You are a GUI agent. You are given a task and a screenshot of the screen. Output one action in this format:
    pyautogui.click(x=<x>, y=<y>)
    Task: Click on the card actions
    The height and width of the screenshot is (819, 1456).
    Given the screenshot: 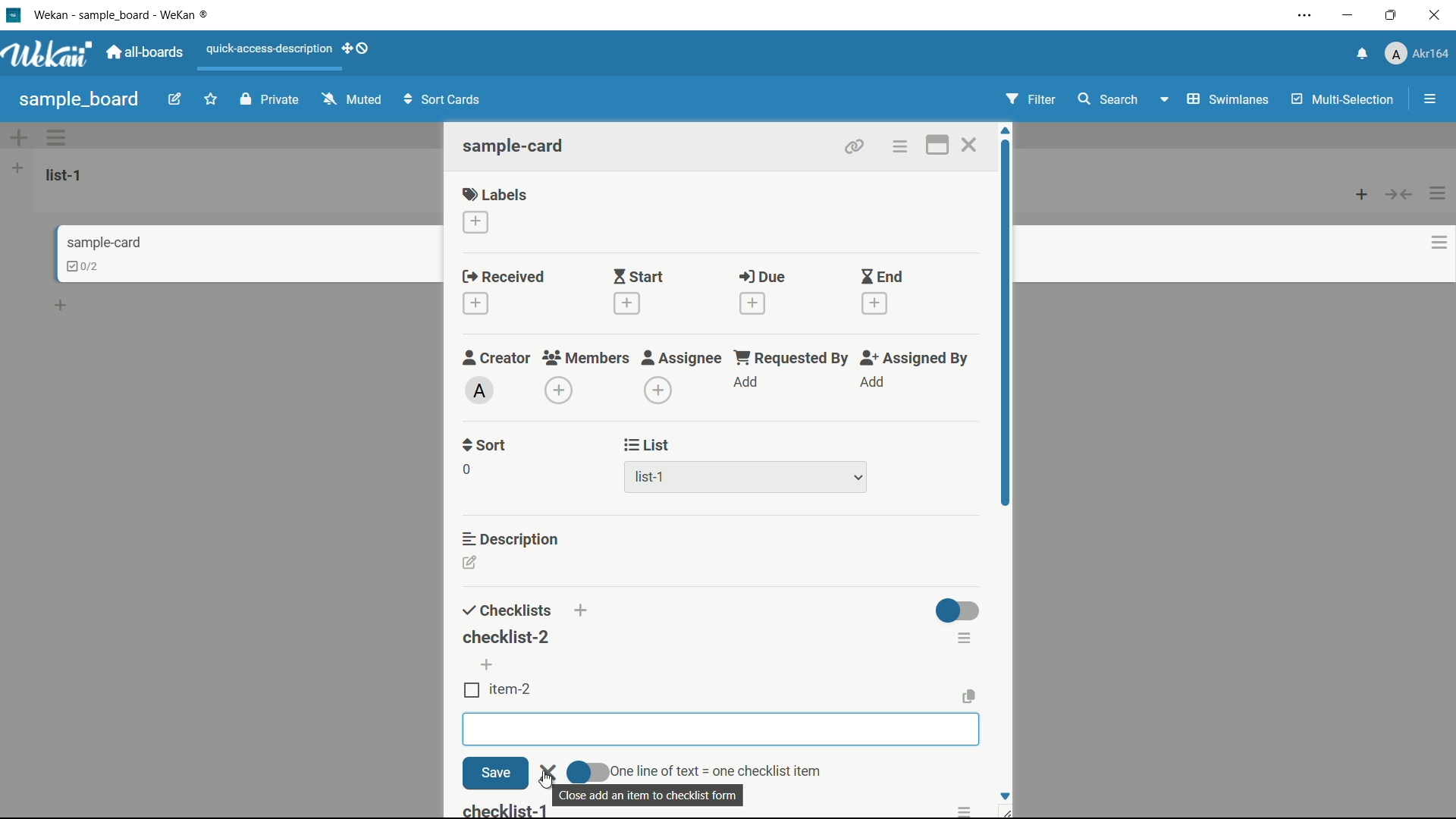 What is the action you would take?
    pyautogui.click(x=1439, y=243)
    